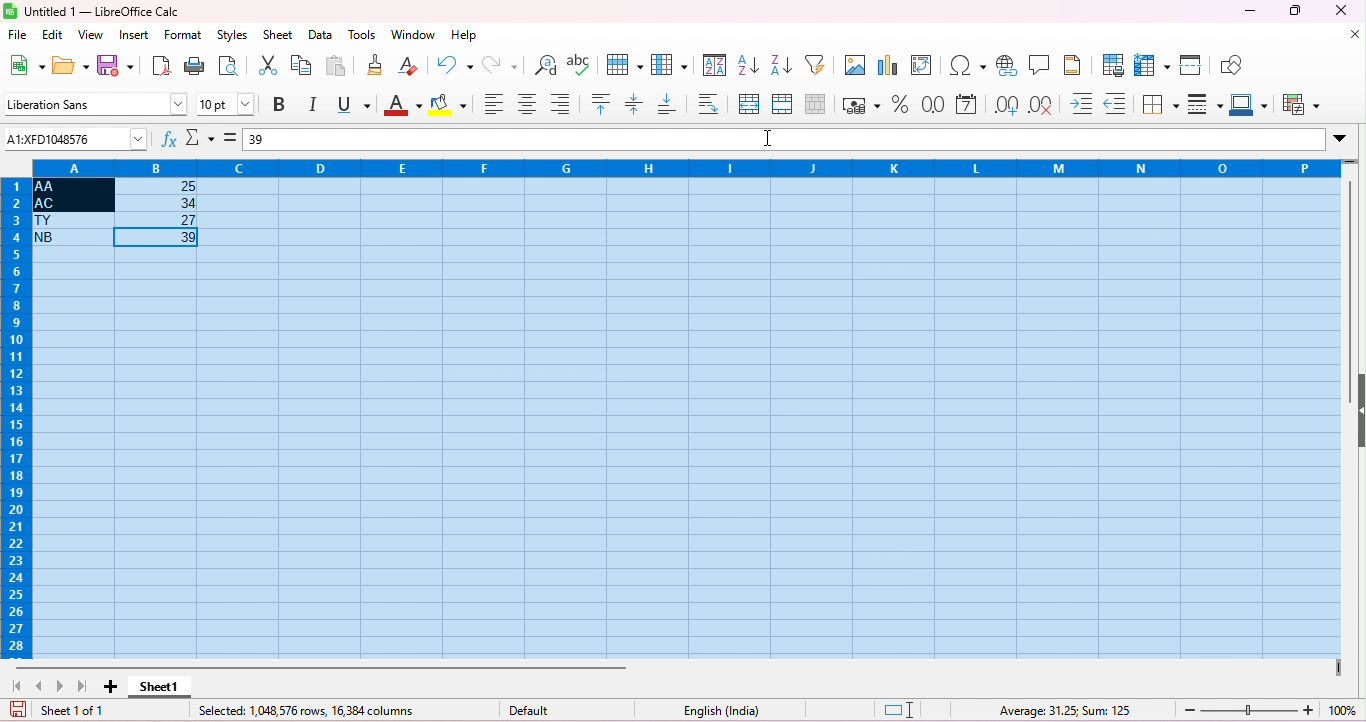 This screenshot has height=722, width=1366. I want to click on help, so click(464, 35).